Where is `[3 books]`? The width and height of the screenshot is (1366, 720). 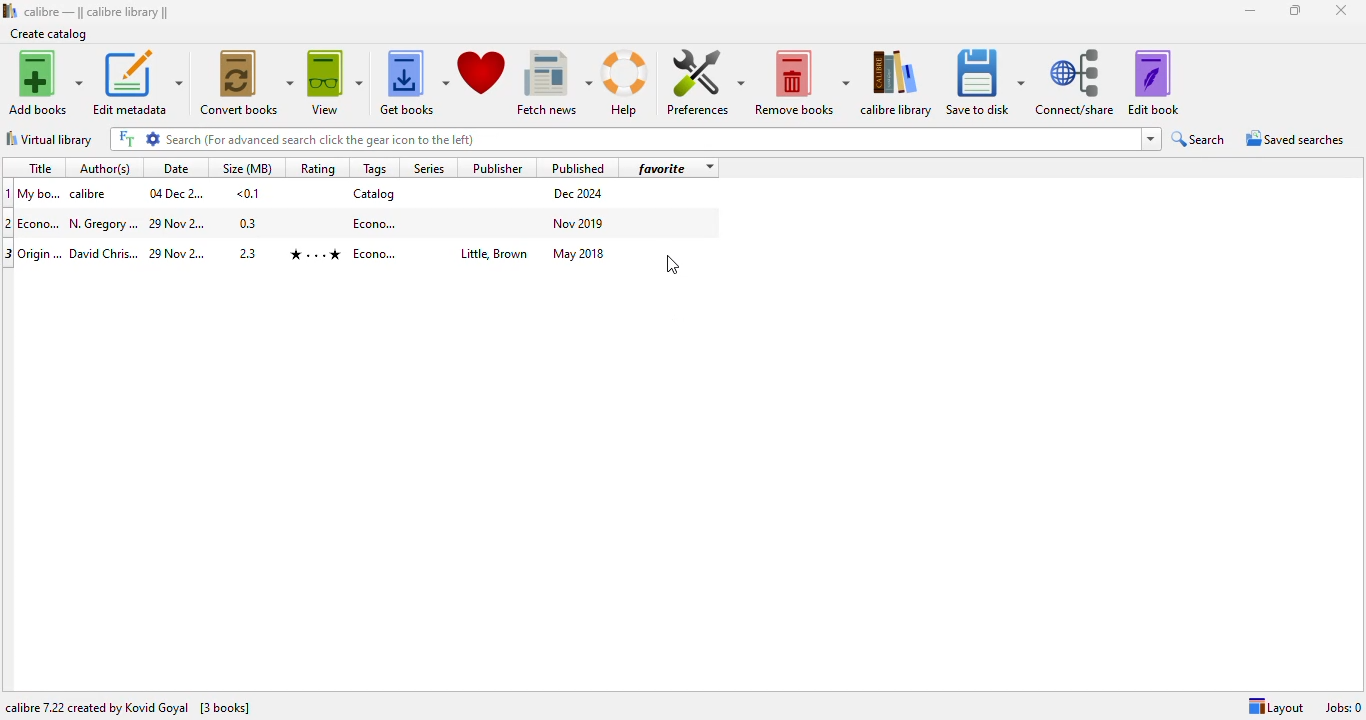 [3 books] is located at coordinates (225, 707).